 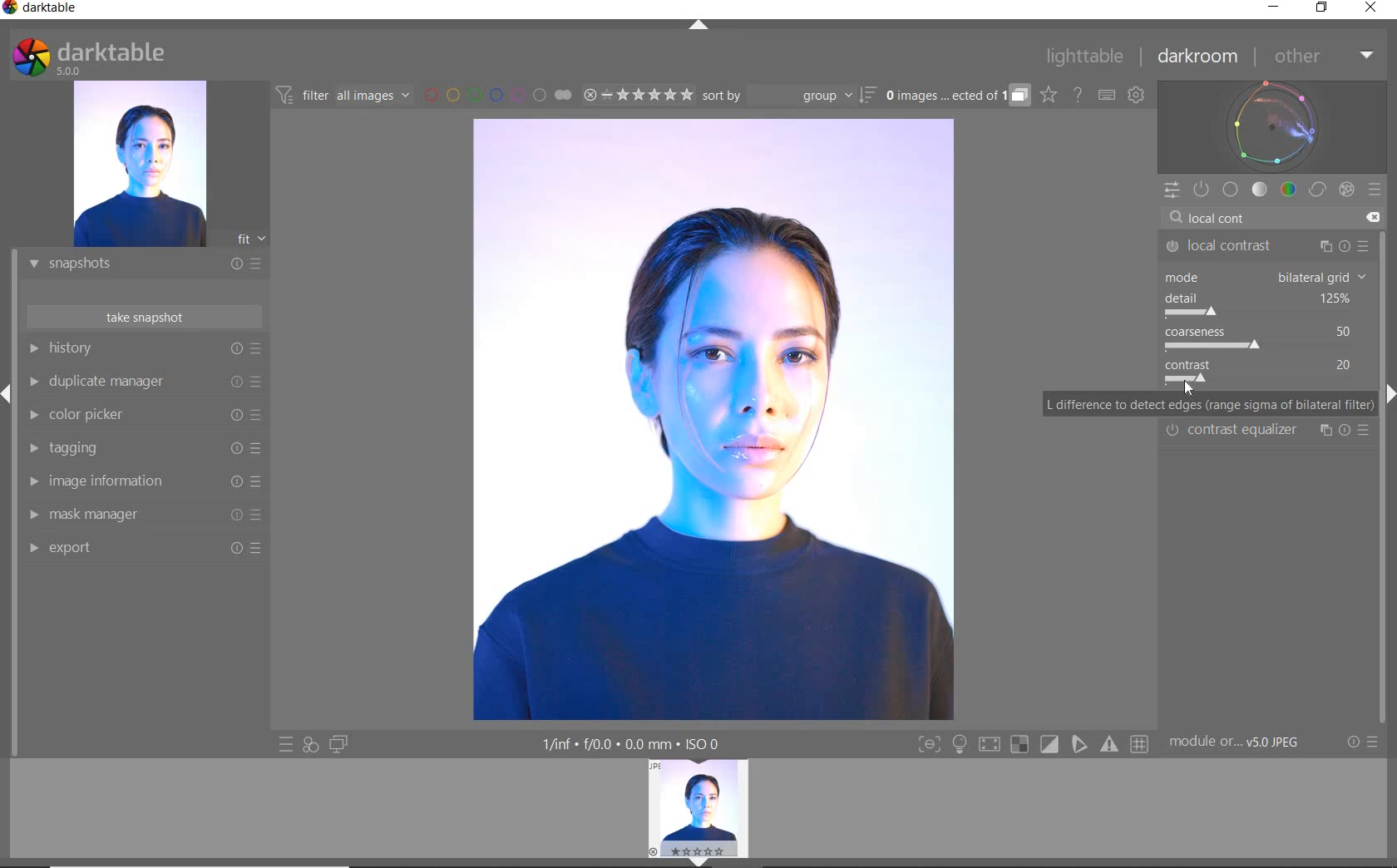 I want to click on Search, so click(x=1176, y=218).